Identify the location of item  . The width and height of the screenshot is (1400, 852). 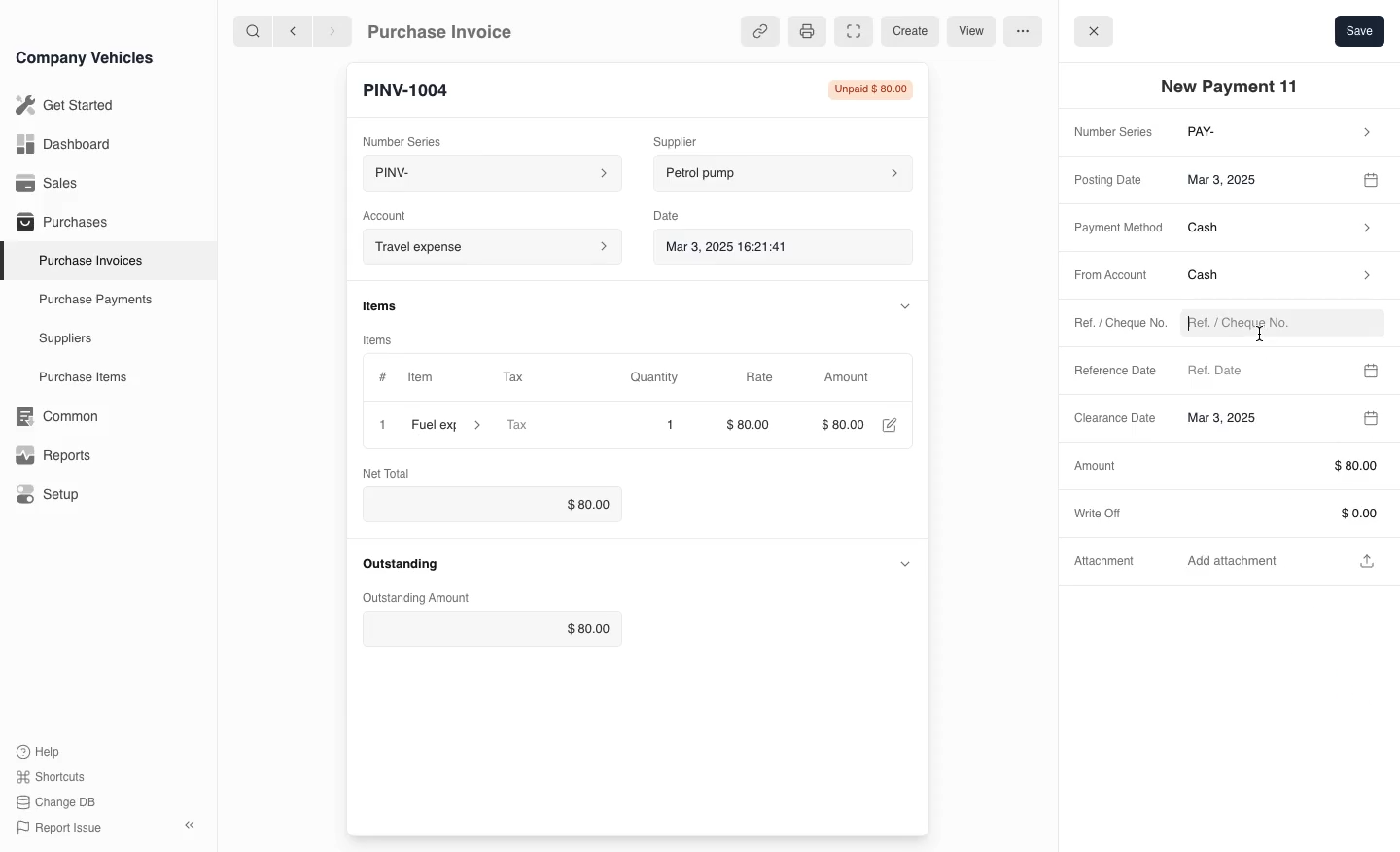
(448, 425).